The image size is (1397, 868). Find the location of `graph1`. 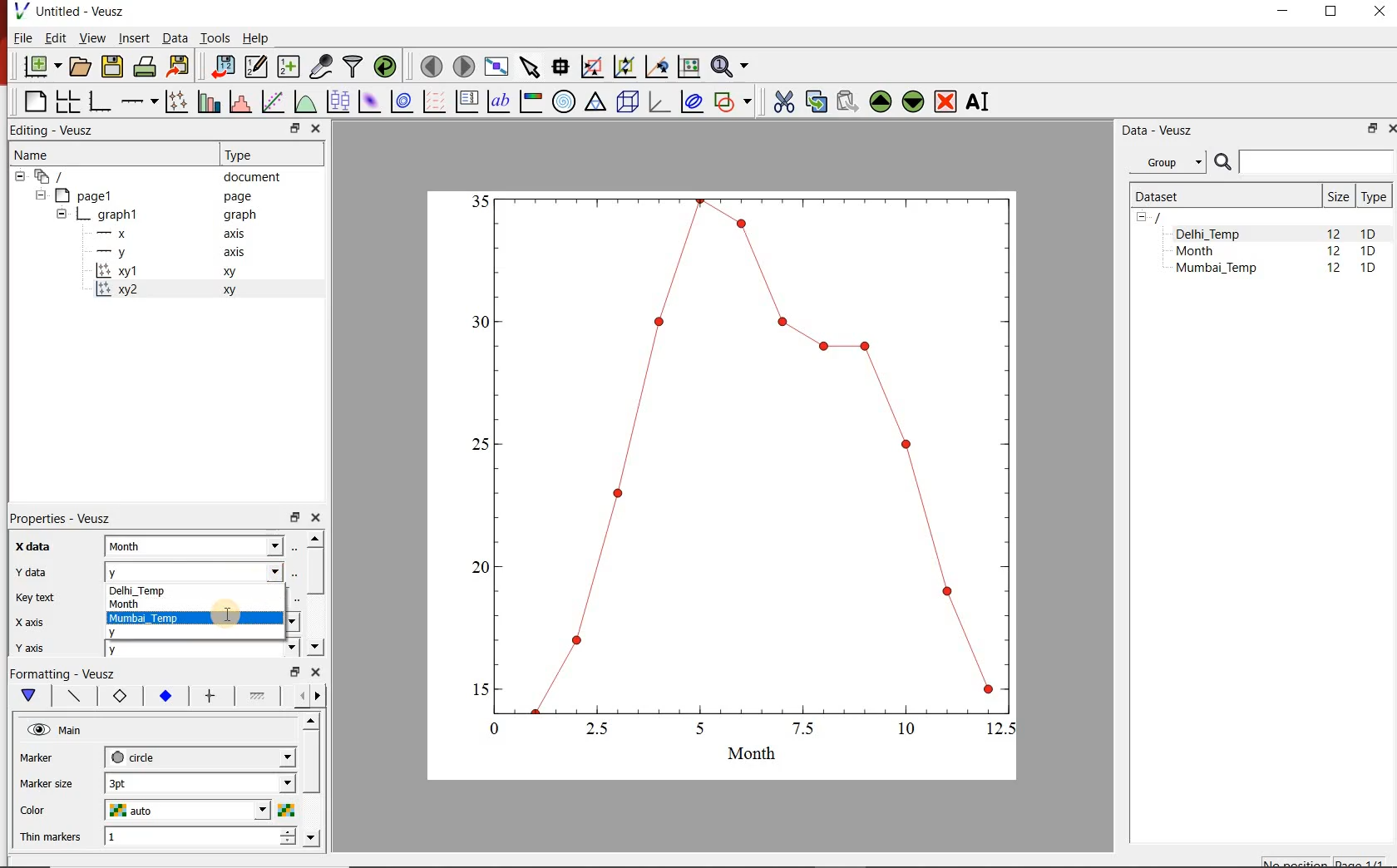

graph1 is located at coordinates (158, 215).